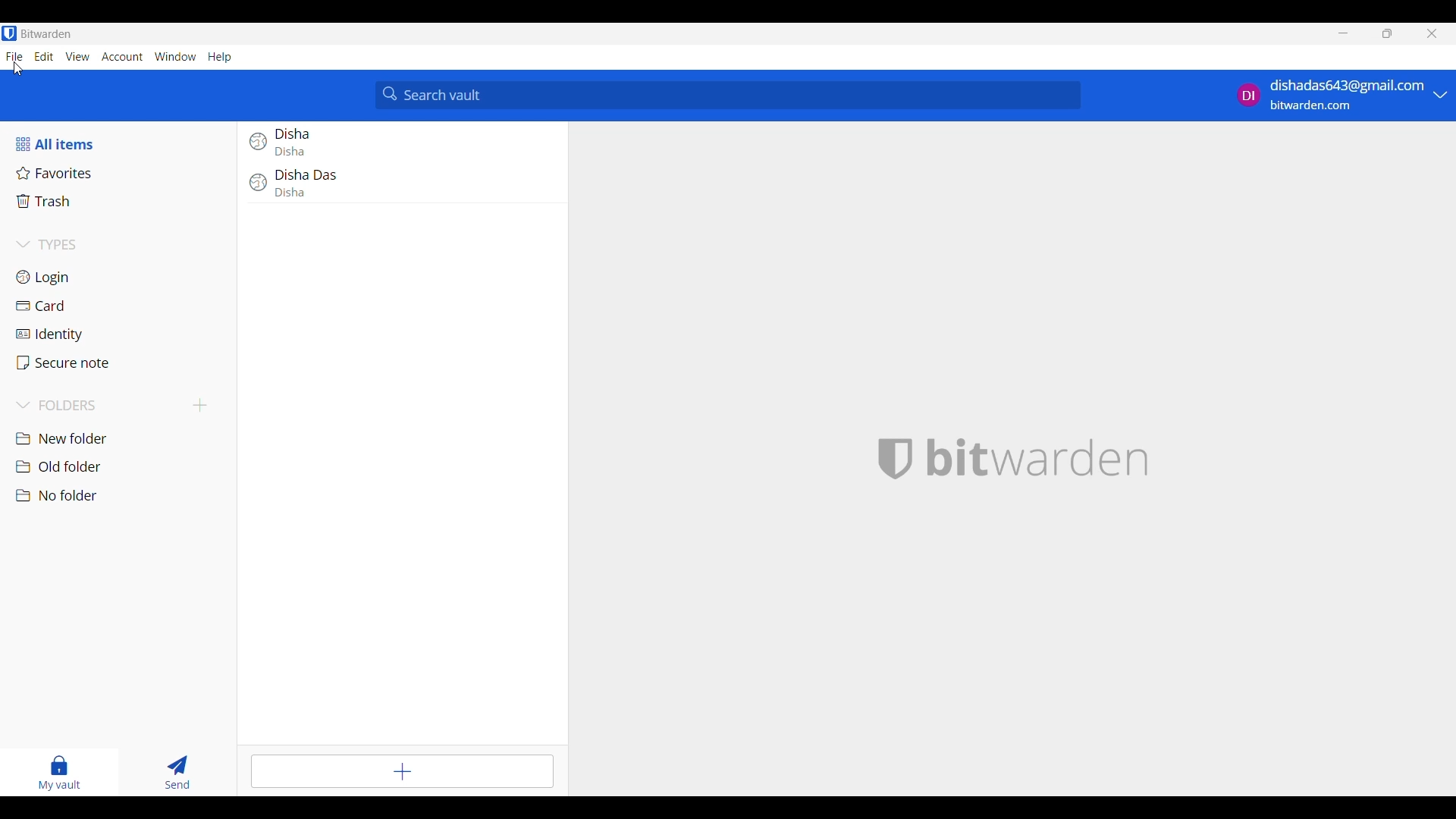  What do you see at coordinates (121, 439) in the screenshot?
I see `New folder` at bounding box center [121, 439].